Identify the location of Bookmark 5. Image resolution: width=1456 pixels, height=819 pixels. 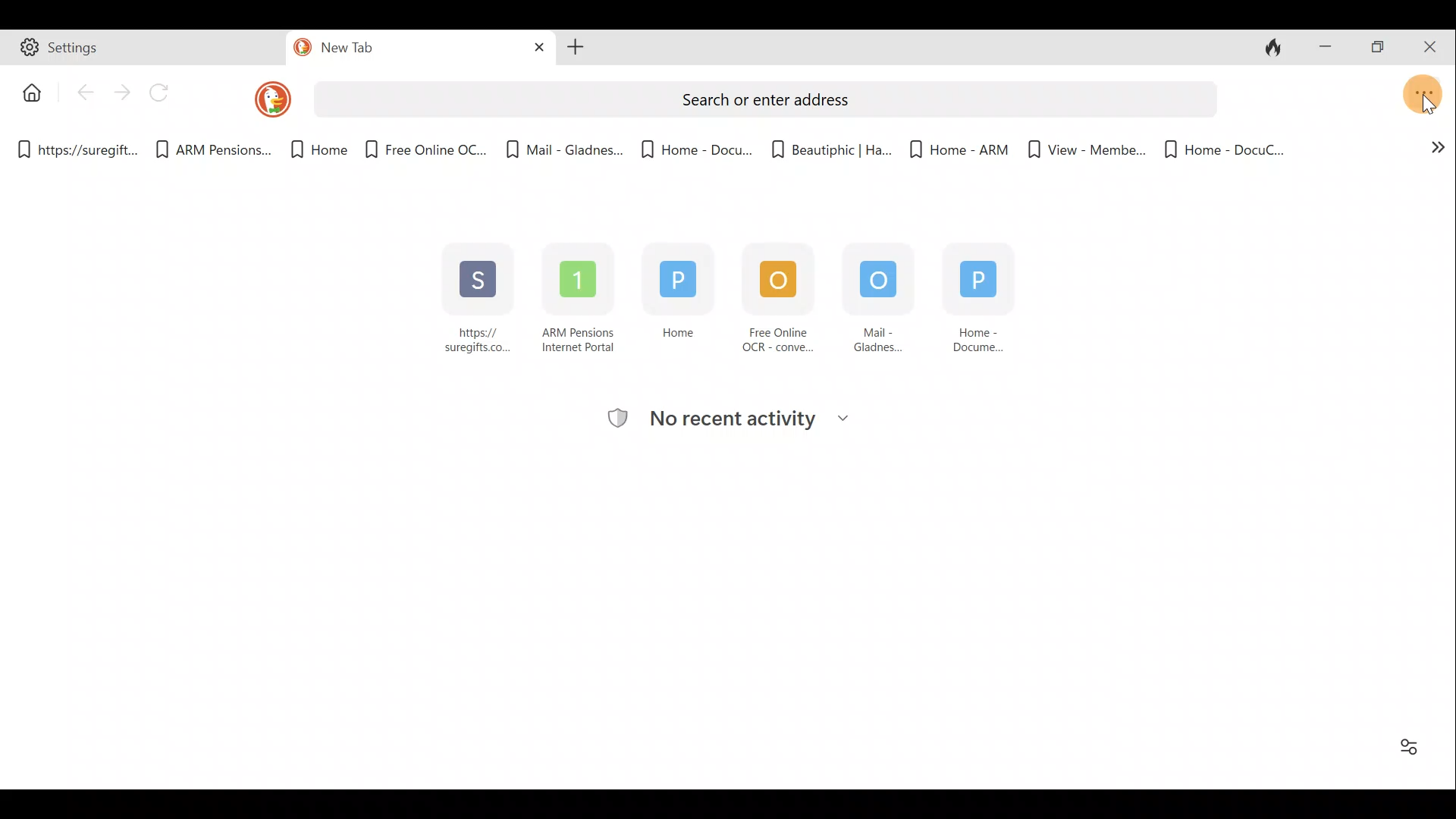
(563, 148).